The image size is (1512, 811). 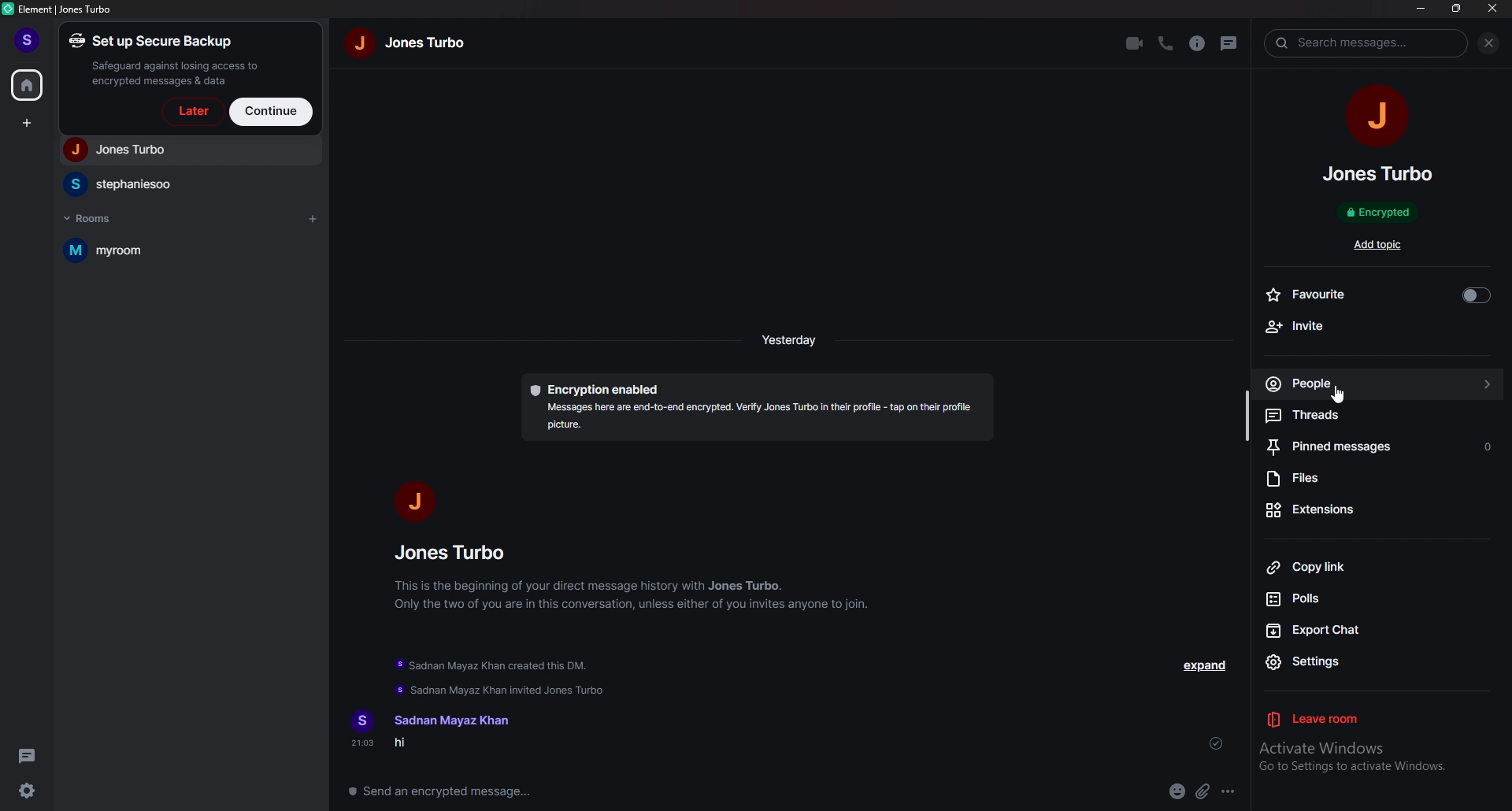 I want to click on close, so click(x=1493, y=9).